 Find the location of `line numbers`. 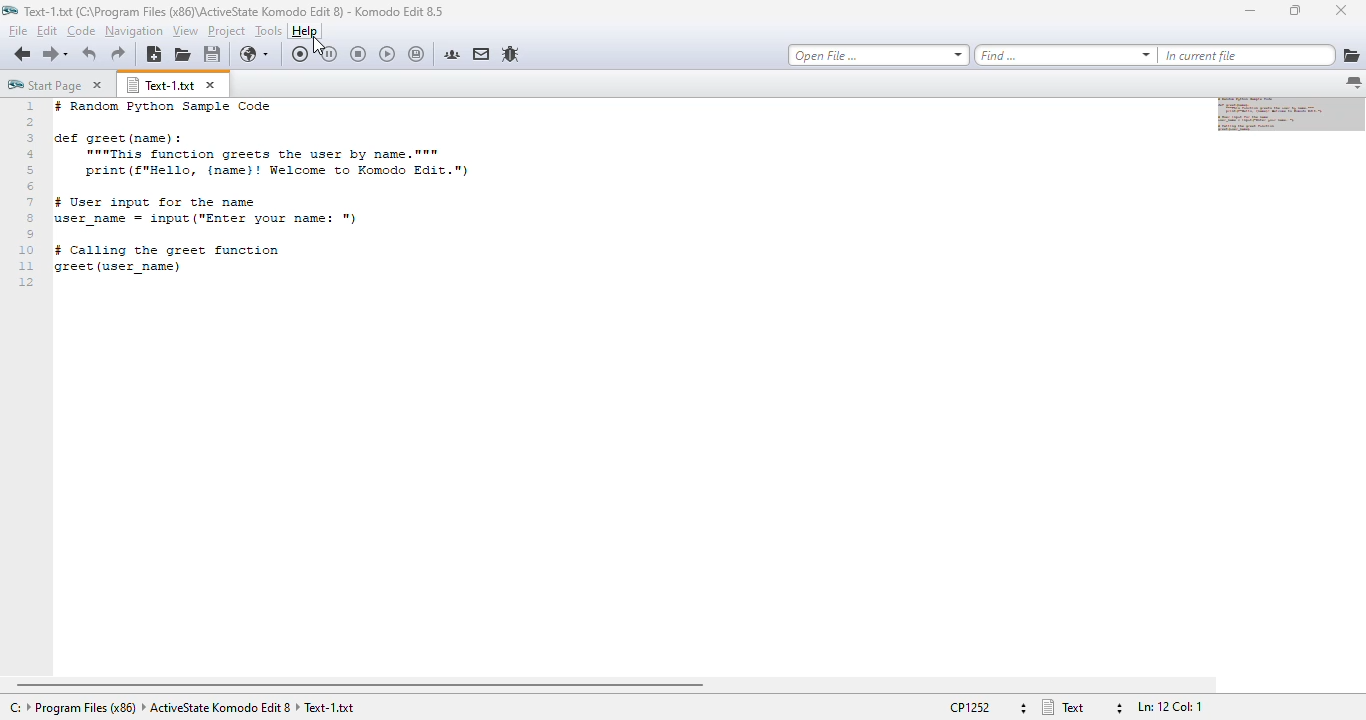

line numbers is located at coordinates (28, 195).